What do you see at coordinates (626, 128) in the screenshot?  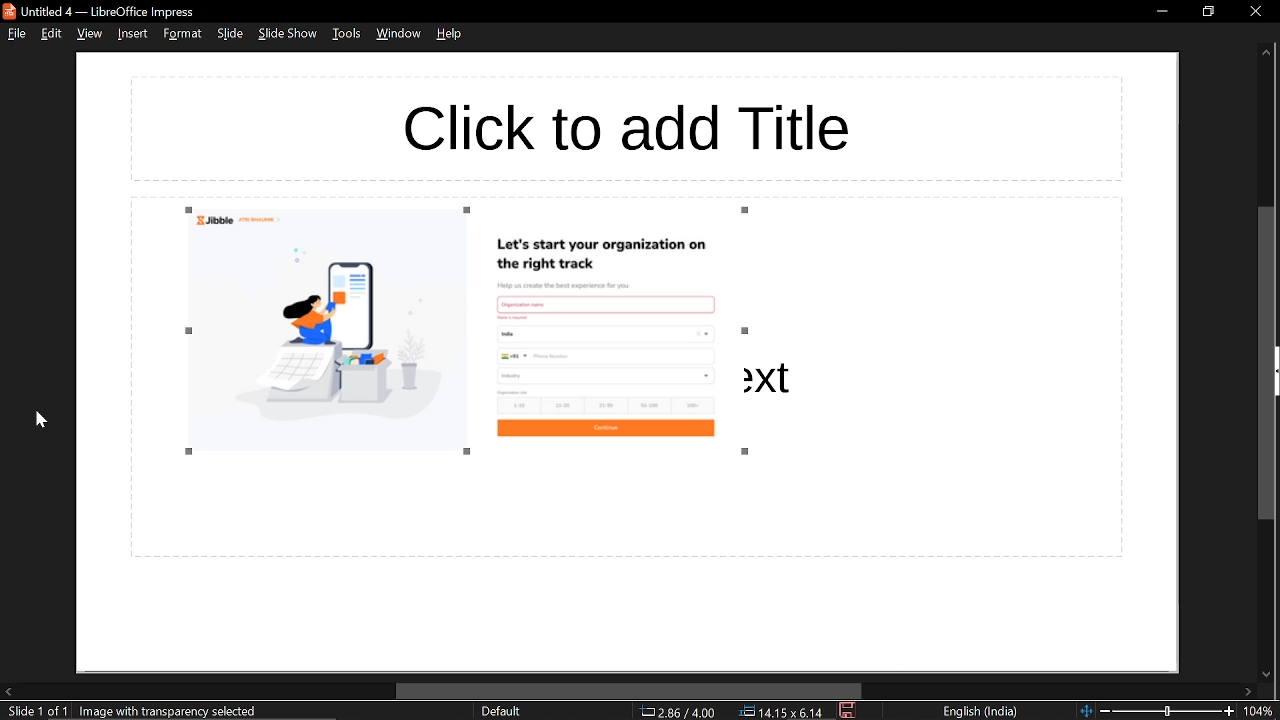 I see `space for adding title` at bounding box center [626, 128].